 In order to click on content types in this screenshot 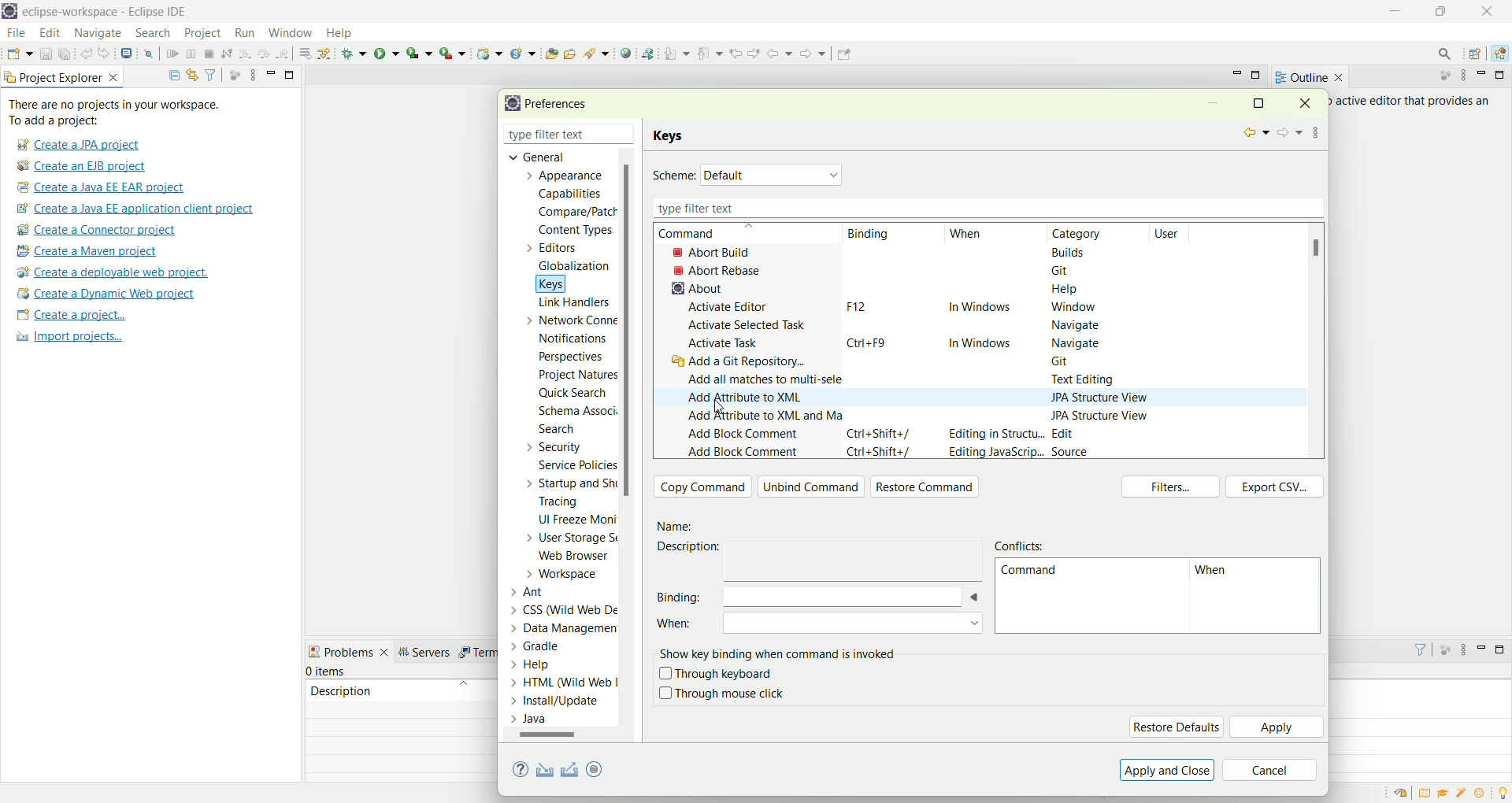, I will do `click(571, 231)`.